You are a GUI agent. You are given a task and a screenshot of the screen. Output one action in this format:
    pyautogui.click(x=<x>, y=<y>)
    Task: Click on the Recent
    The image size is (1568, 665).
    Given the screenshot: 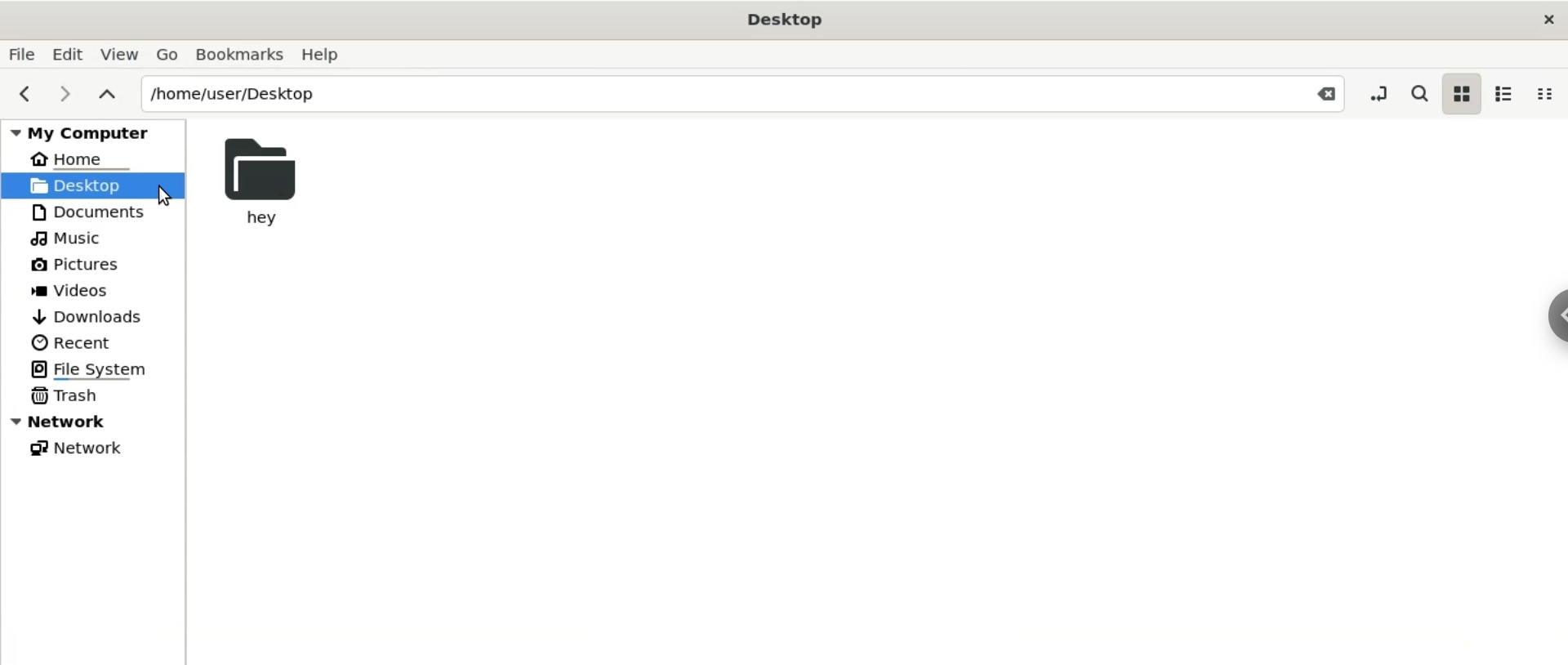 What is the action you would take?
    pyautogui.click(x=77, y=342)
    